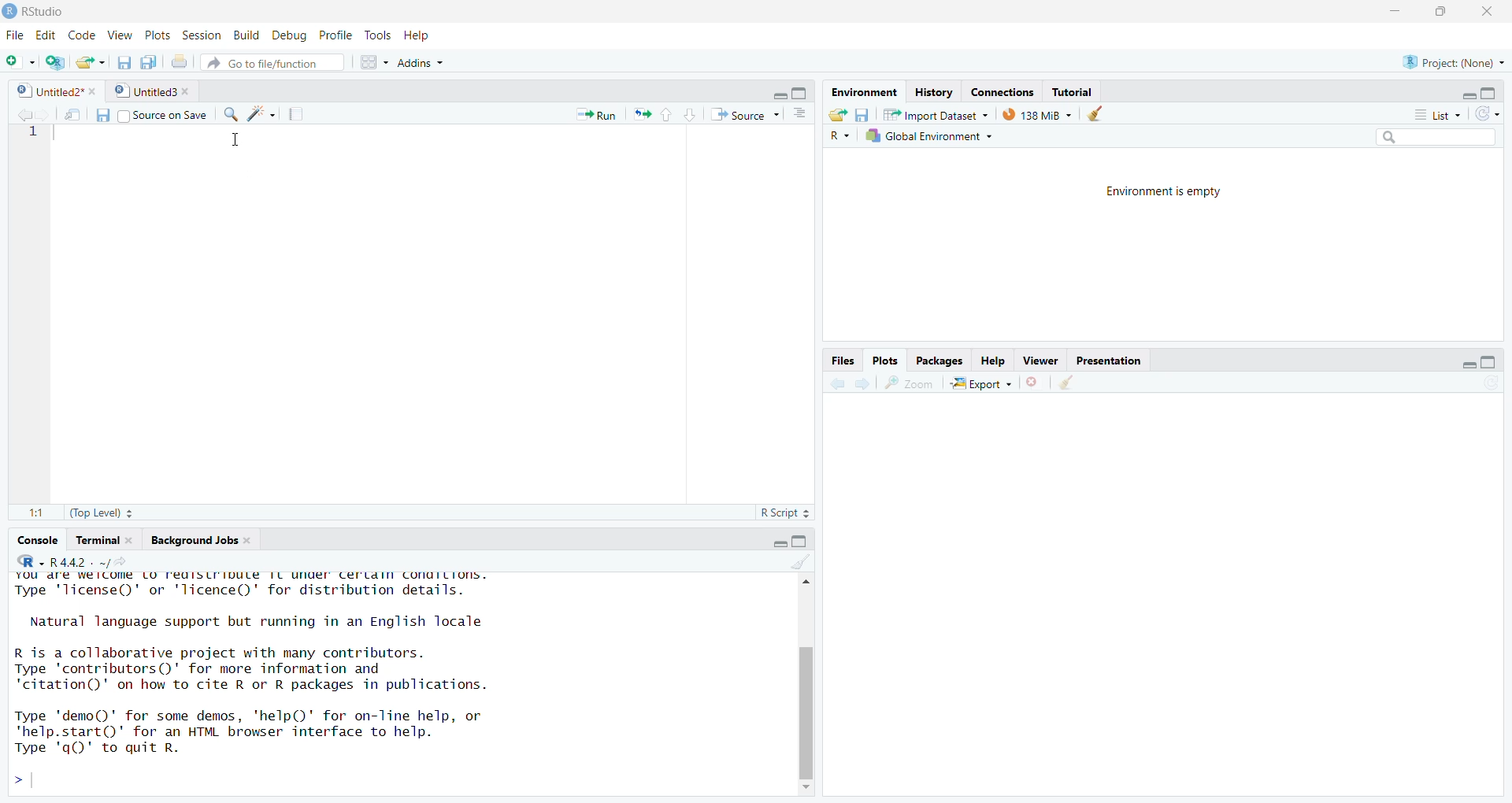 The width and height of the screenshot is (1512, 803). I want to click on Packages, so click(934, 360).